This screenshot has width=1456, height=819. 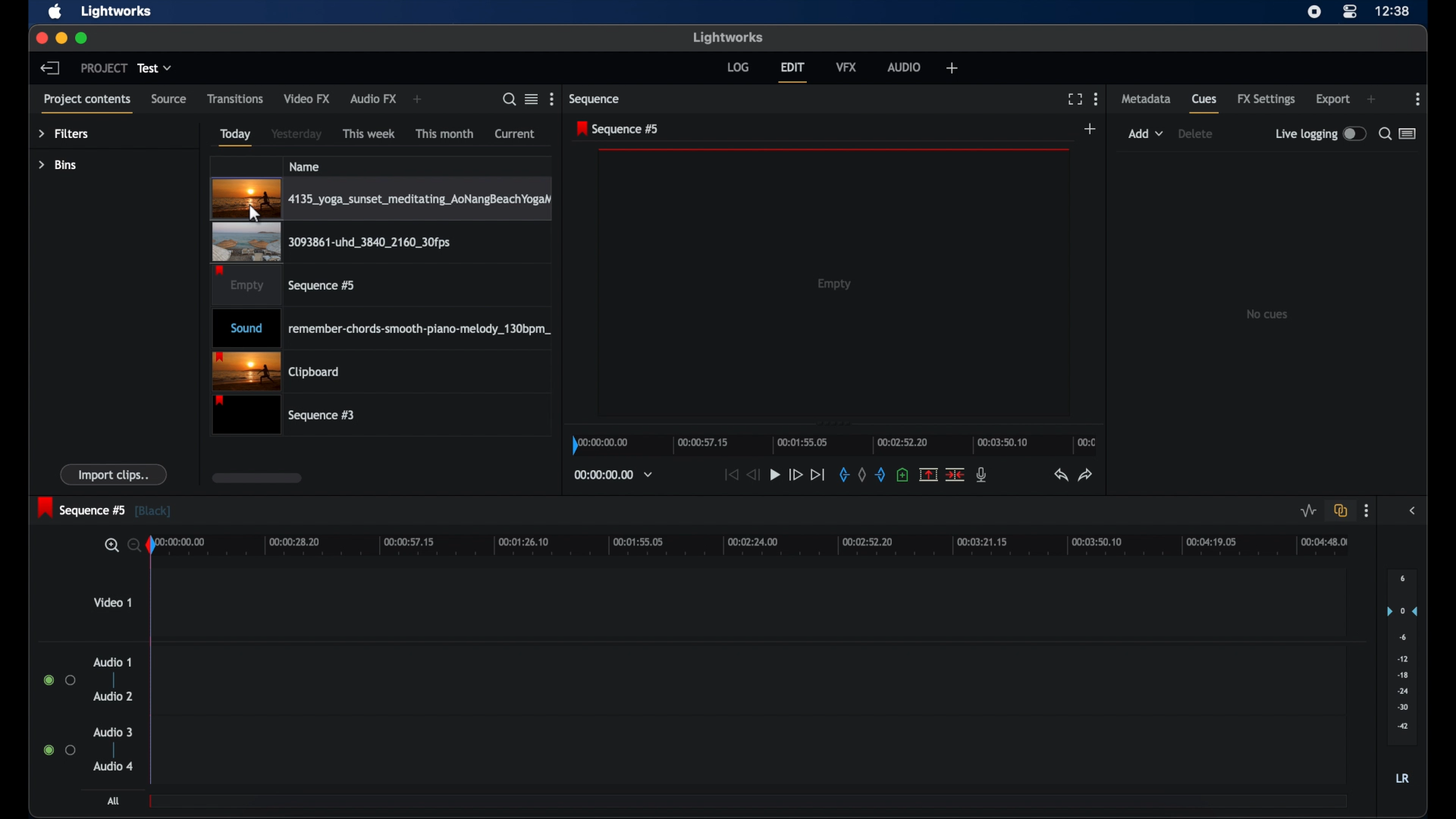 I want to click on search for cues, so click(x=1384, y=133).